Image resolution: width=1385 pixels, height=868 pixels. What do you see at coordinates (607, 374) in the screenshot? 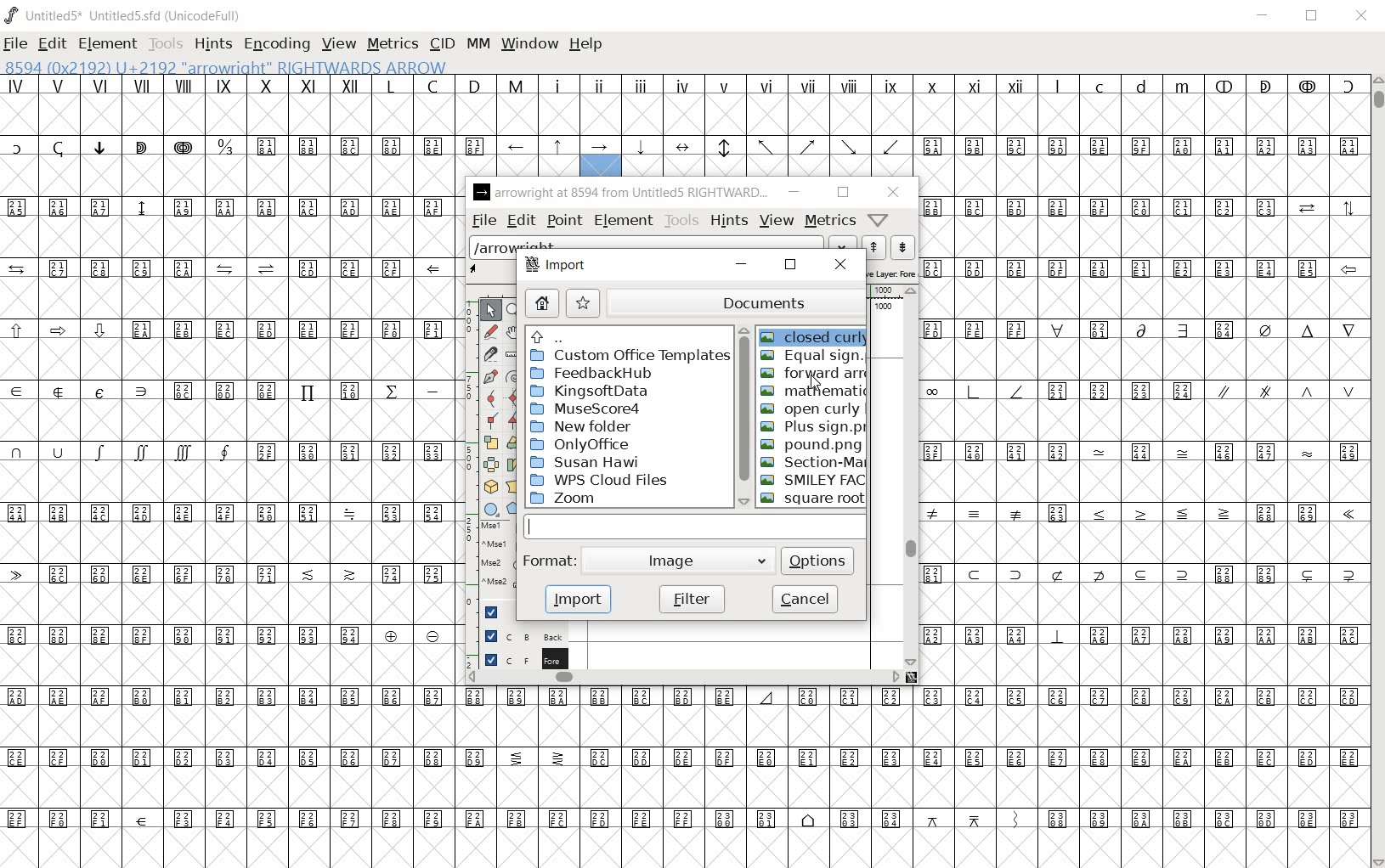
I see `FeedbackHub` at bounding box center [607, 374].